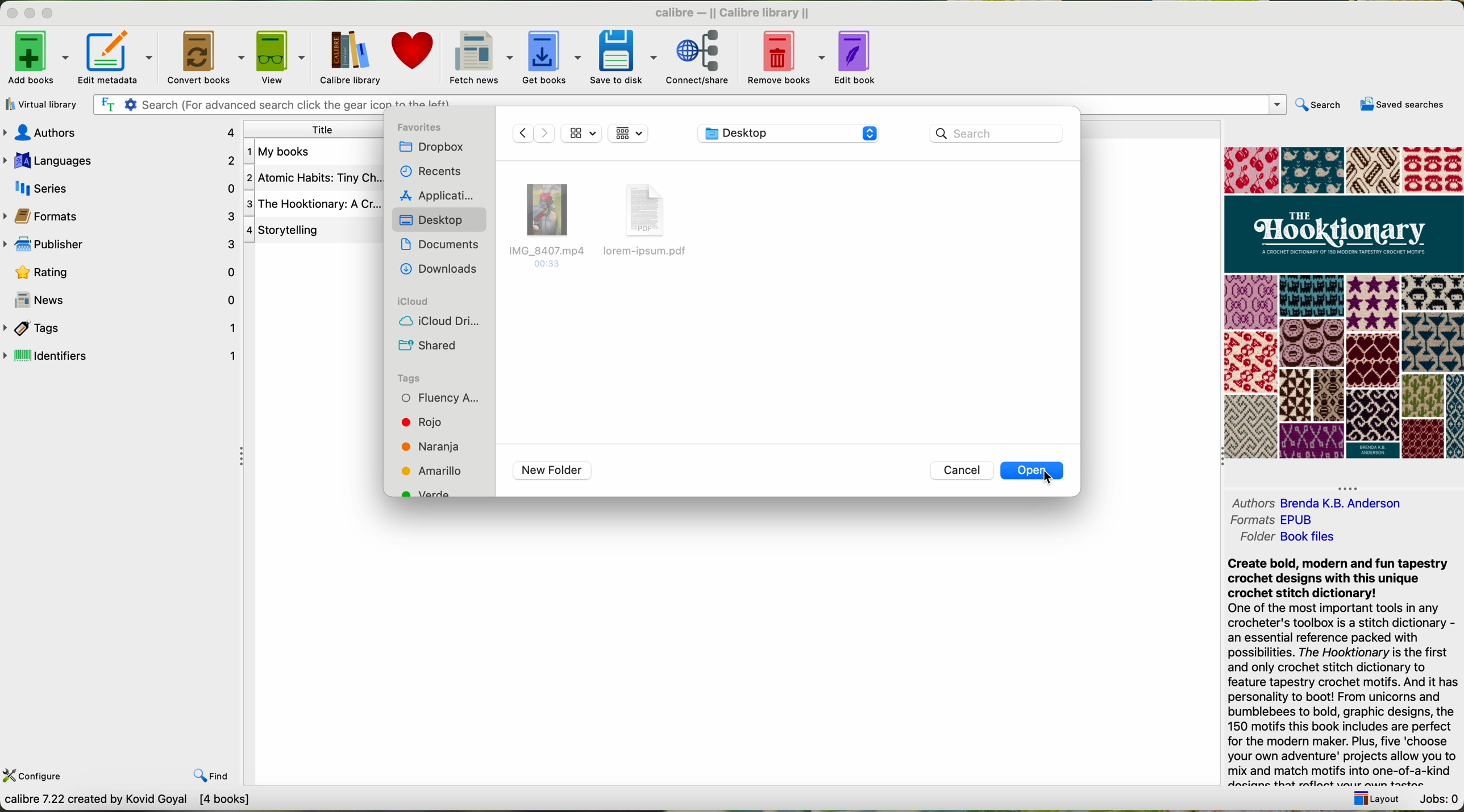 The image size is (1464, 812). I want to click on publisher, so click(120, 245).